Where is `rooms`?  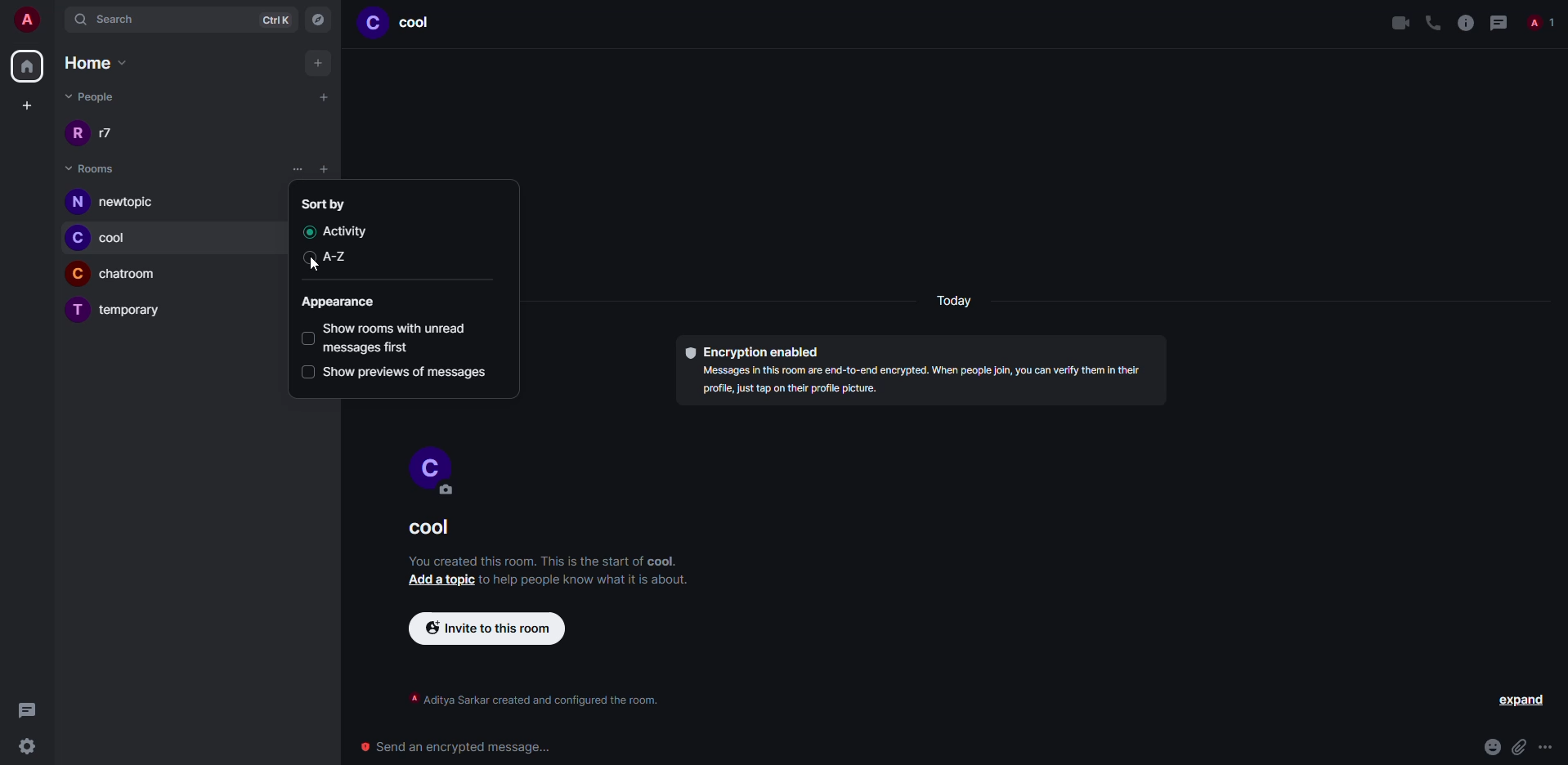
rooms is located at coordinates (92, 168).